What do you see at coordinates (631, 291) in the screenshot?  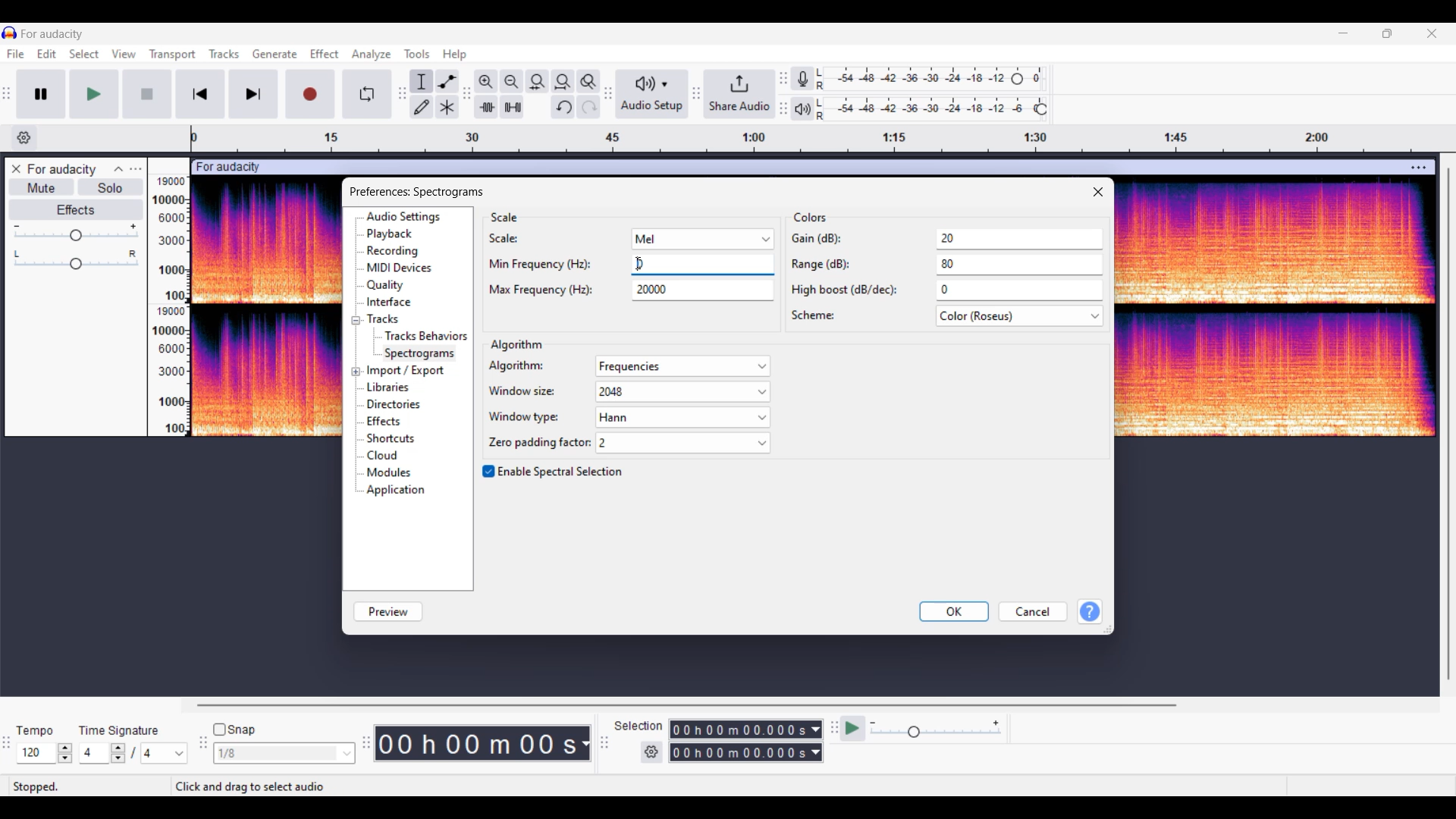 I see `max frequency` at bounding box center [631, 291].